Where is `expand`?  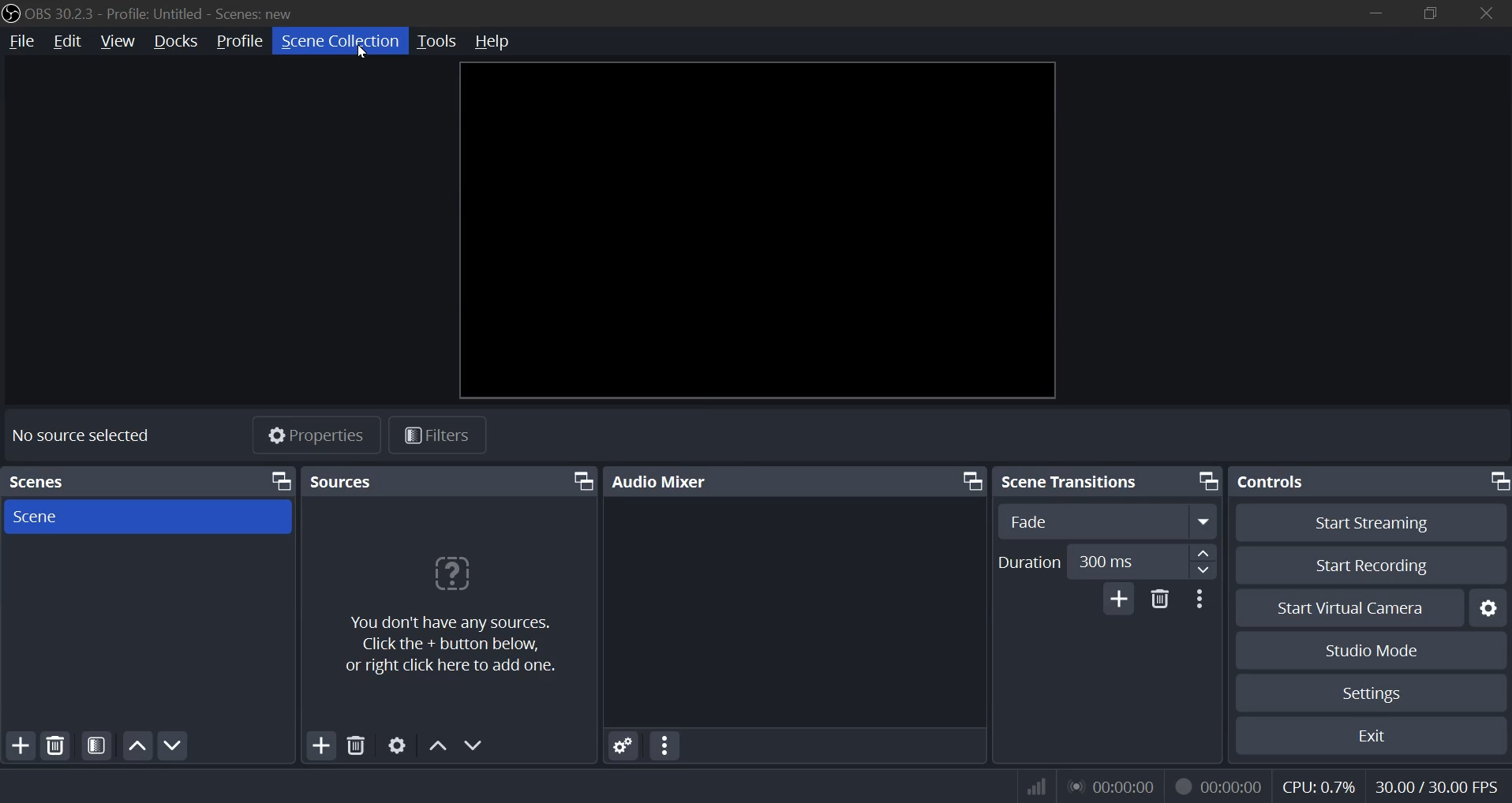 expand is located at coordinates (1204, 521).